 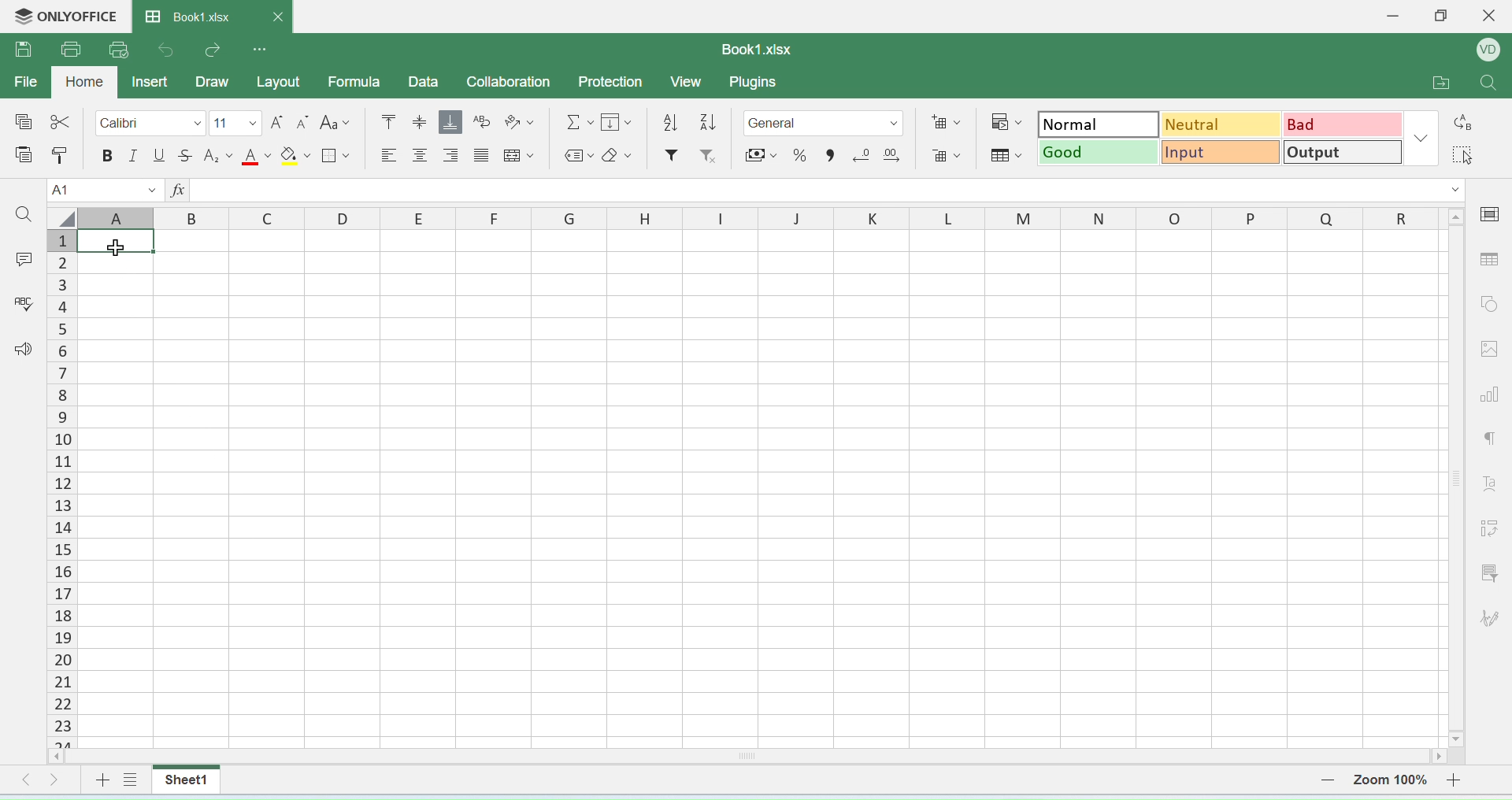 What do you see at coordinates (235, 123) in the screenshot?
I see `font size` at bounding box center [235, 123].